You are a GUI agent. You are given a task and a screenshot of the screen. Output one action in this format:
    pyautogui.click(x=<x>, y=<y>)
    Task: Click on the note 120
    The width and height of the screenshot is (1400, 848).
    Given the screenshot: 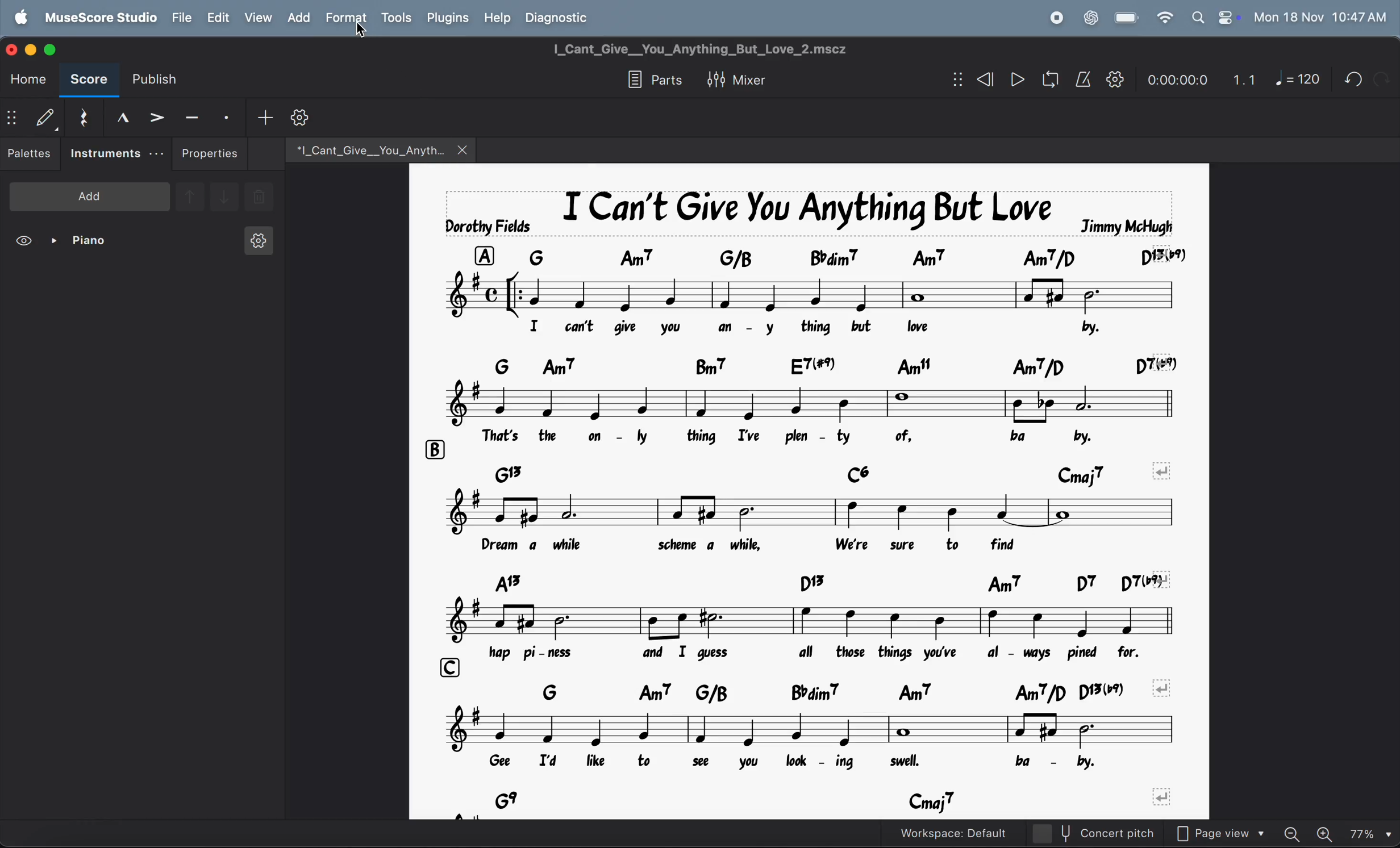 What is the action you would take?
    pyautogui.click(x=1298, y=80)
    